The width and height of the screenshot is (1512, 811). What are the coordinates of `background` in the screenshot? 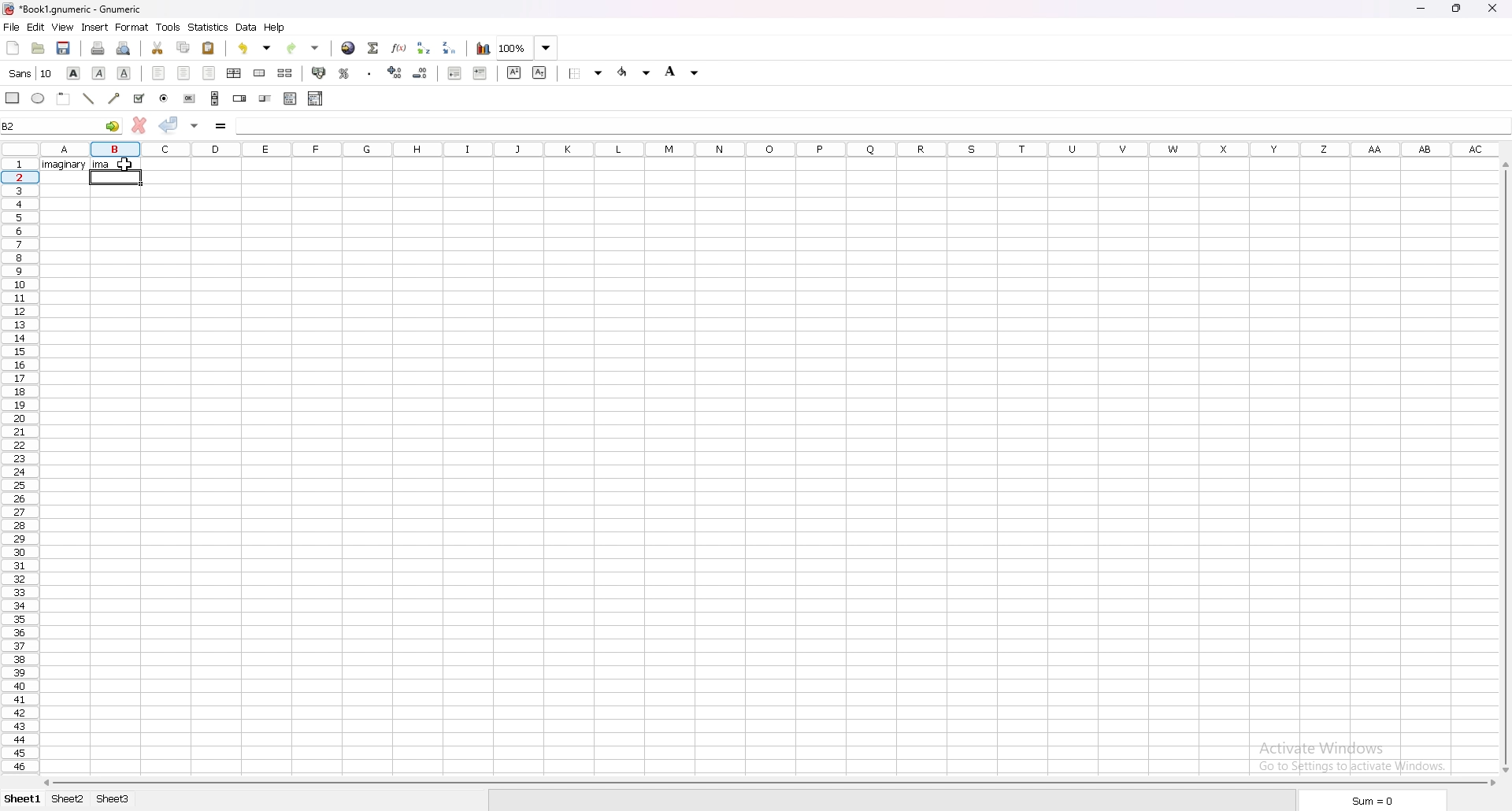 It's located at (683, 73).